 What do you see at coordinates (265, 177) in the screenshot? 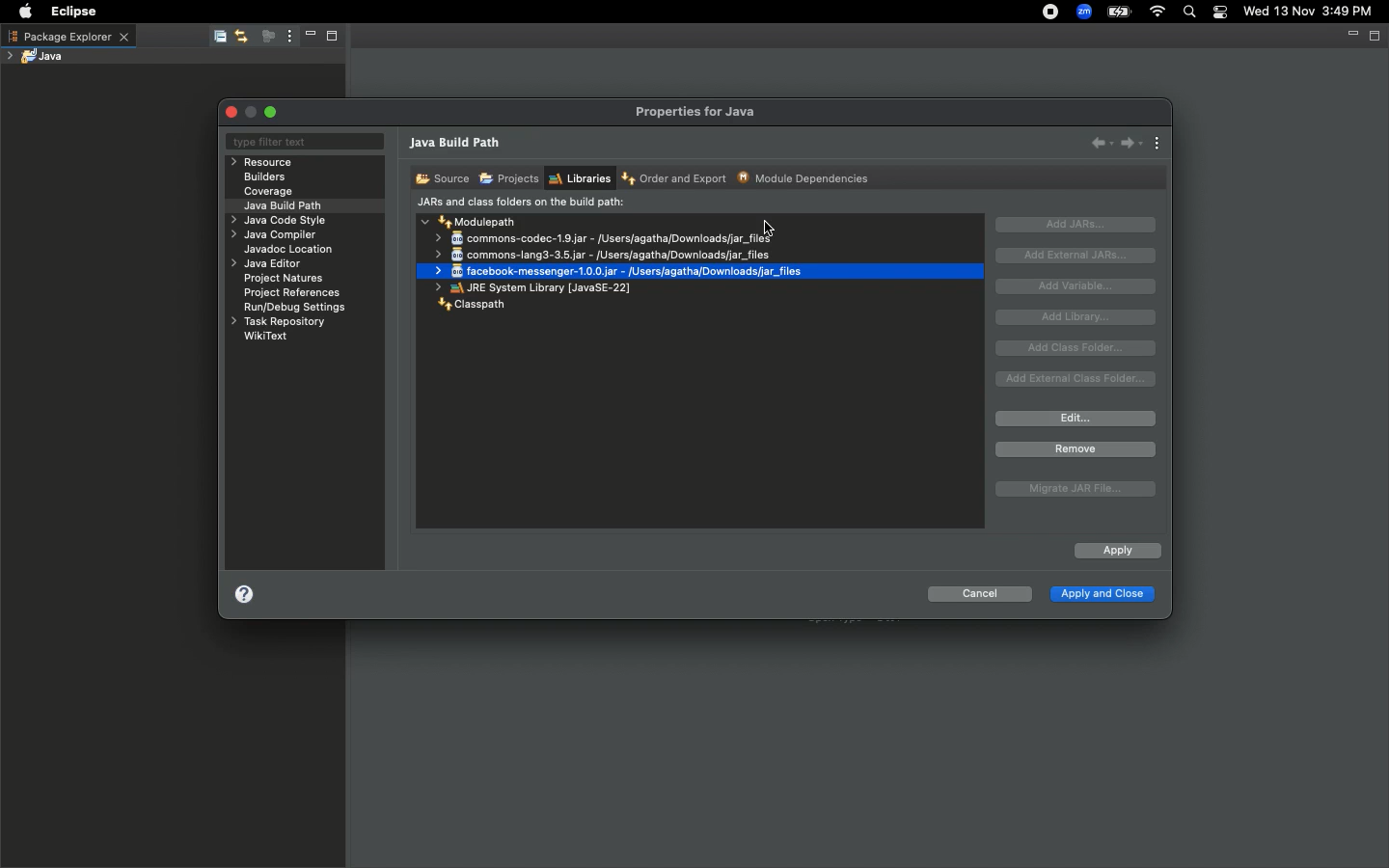
I see `Builders` at bounding box center [265, 177].